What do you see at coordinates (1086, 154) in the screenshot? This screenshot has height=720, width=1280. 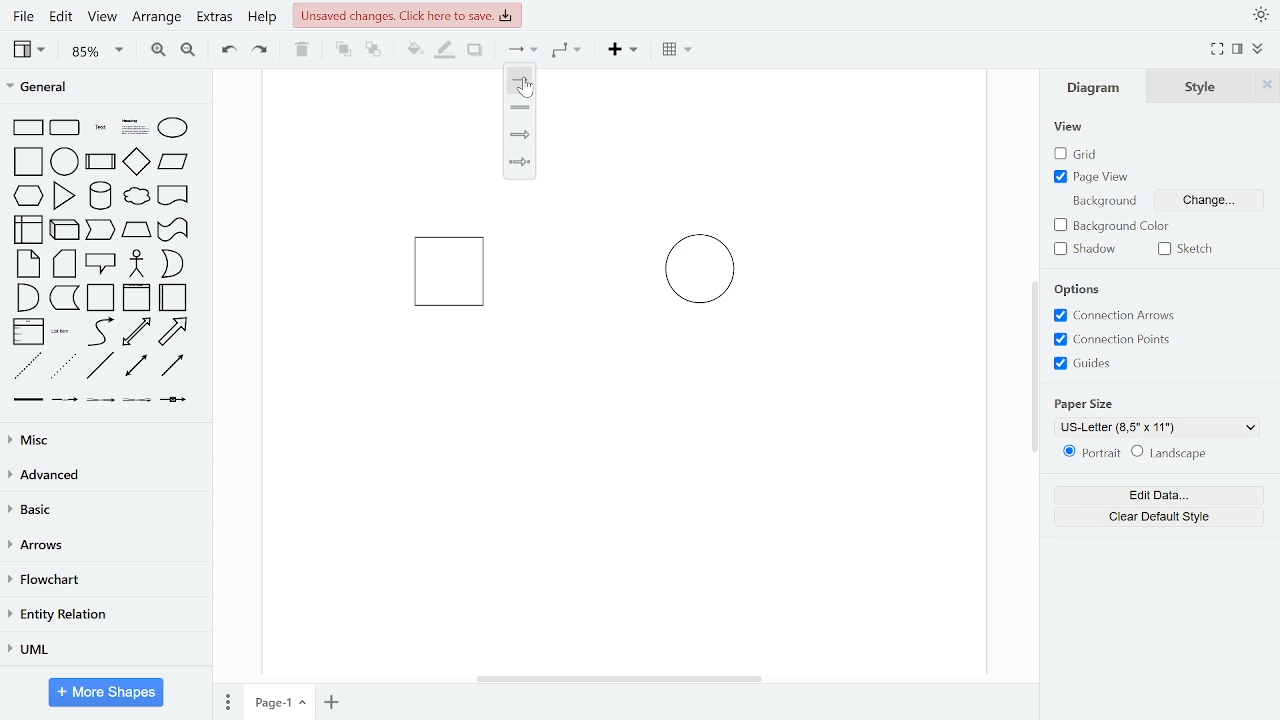 I see `grid` at bounding box center [1086, 154].